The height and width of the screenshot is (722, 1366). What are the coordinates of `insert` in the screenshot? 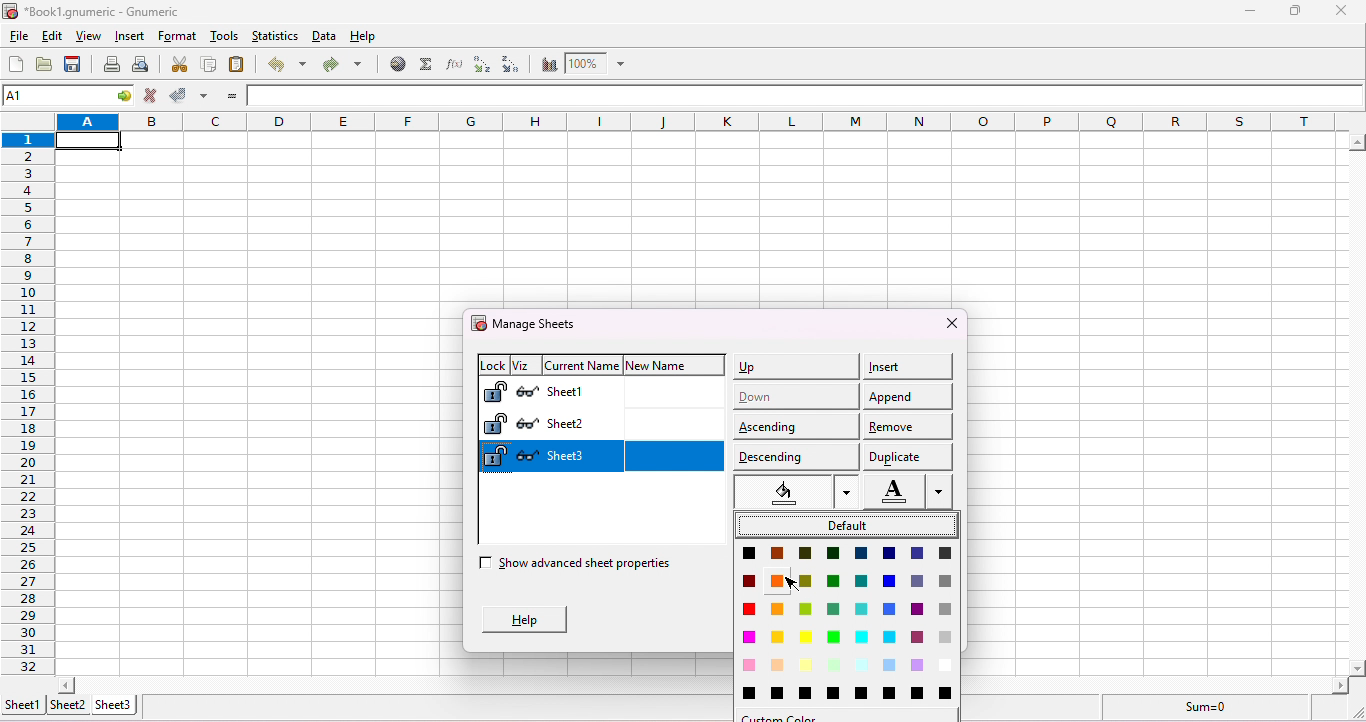 It's located at (907, 366).